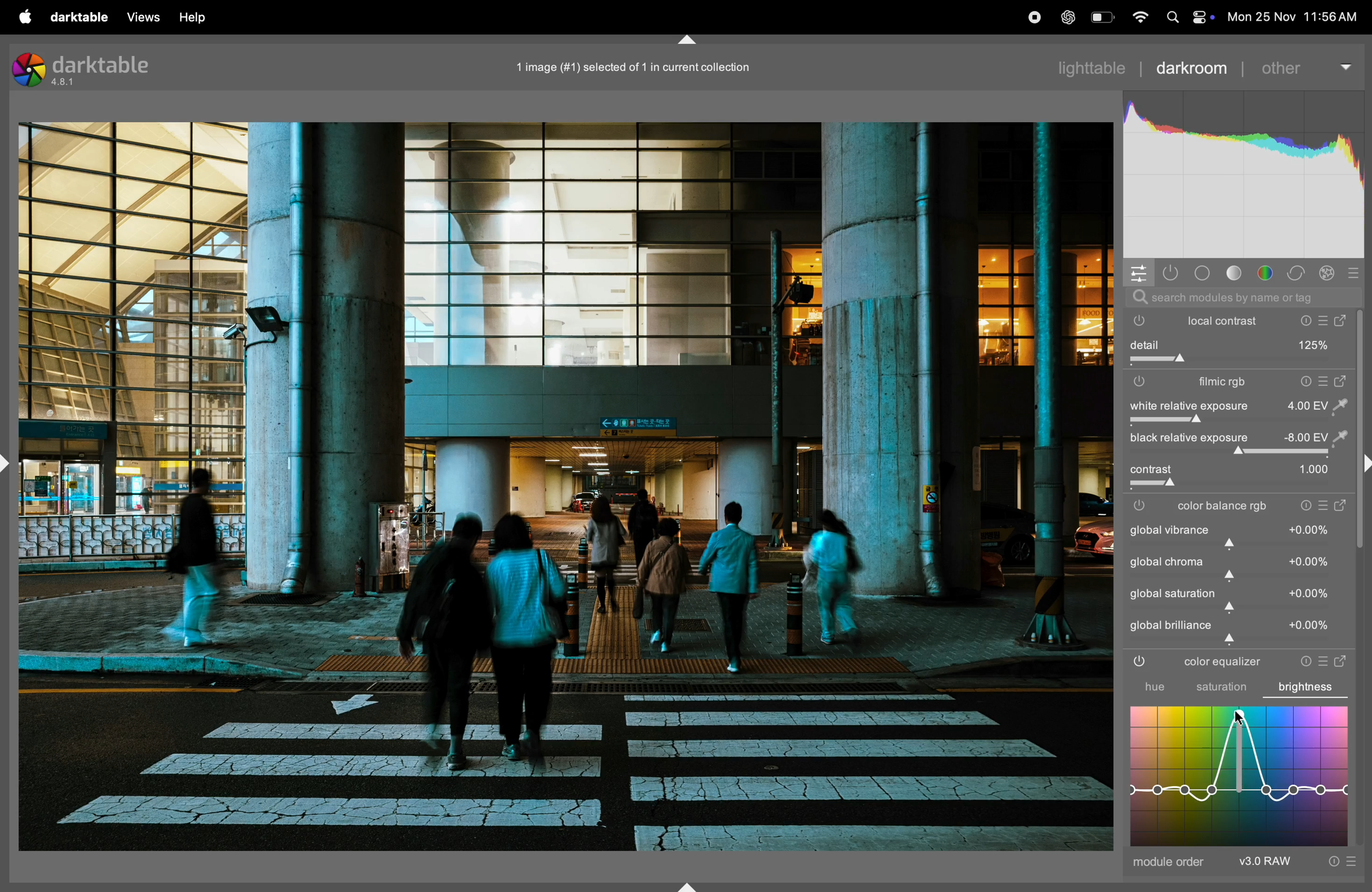 This screenshot has height=892, width=1372. What do you see at coordinates (103, 63) in the screenshot?
I see `darktable` at bounding box center [103, 63].